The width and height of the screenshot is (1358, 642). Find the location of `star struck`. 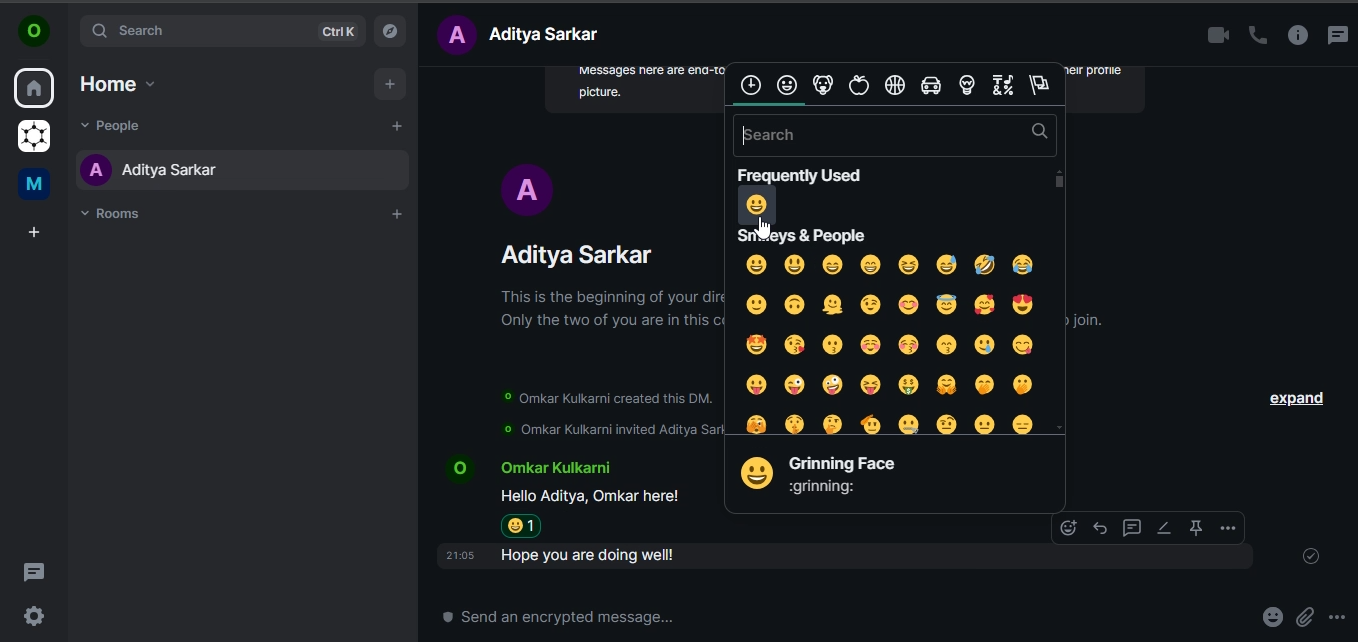

star struck is located at coordinates (753, 344).